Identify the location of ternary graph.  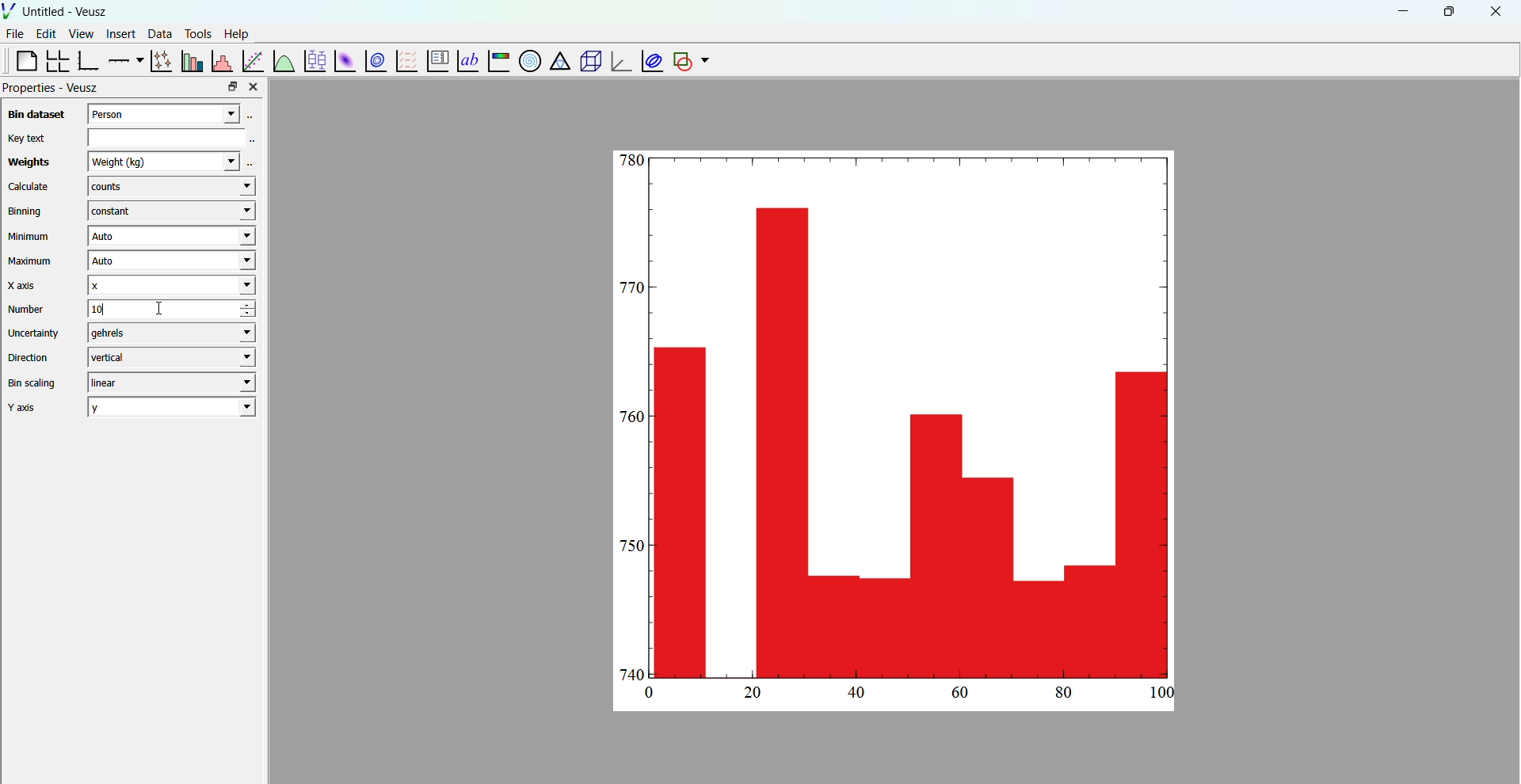
(558, 63).